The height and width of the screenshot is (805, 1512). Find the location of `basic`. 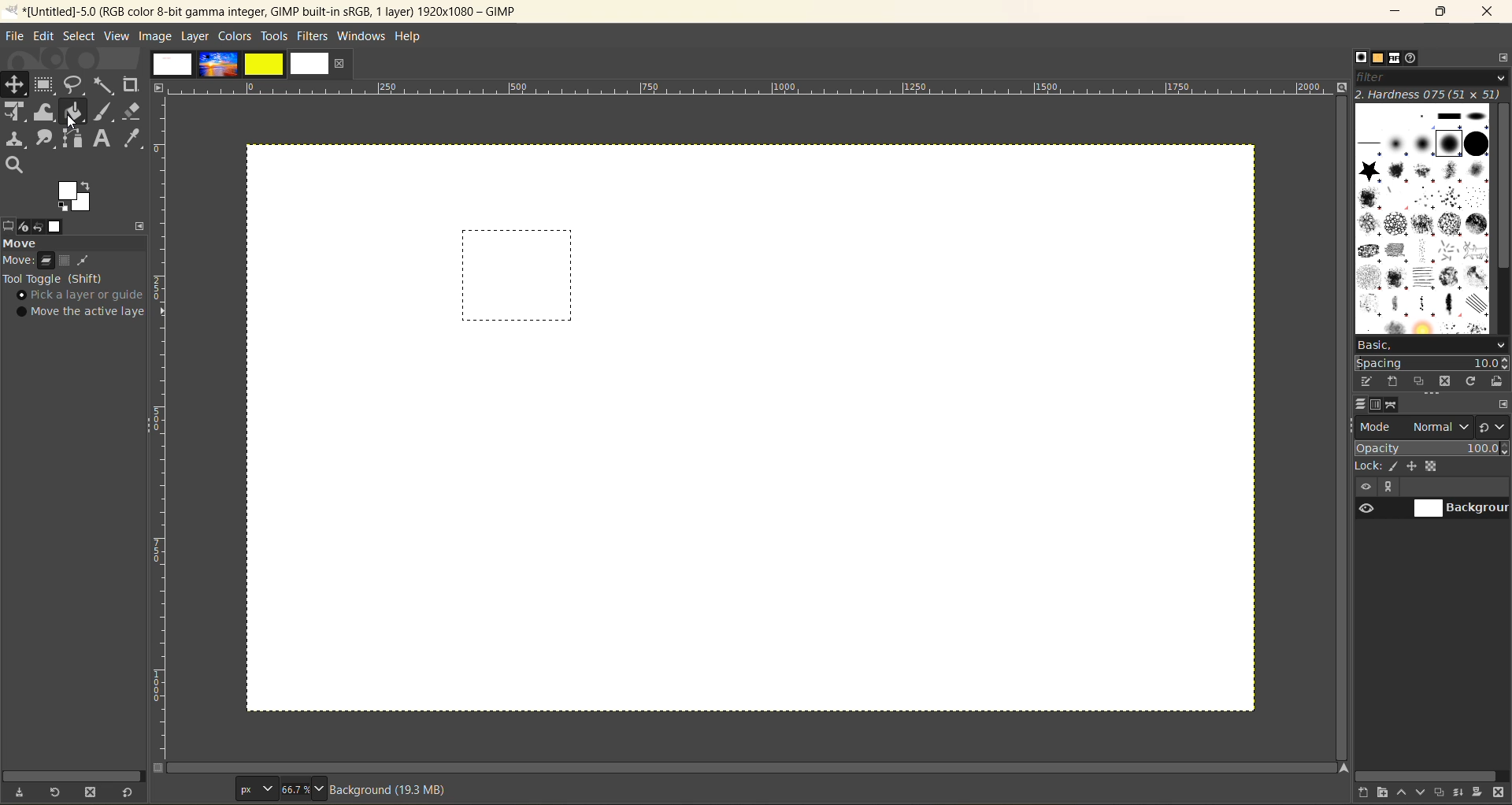

basic is located at coordinates (1433, 345).